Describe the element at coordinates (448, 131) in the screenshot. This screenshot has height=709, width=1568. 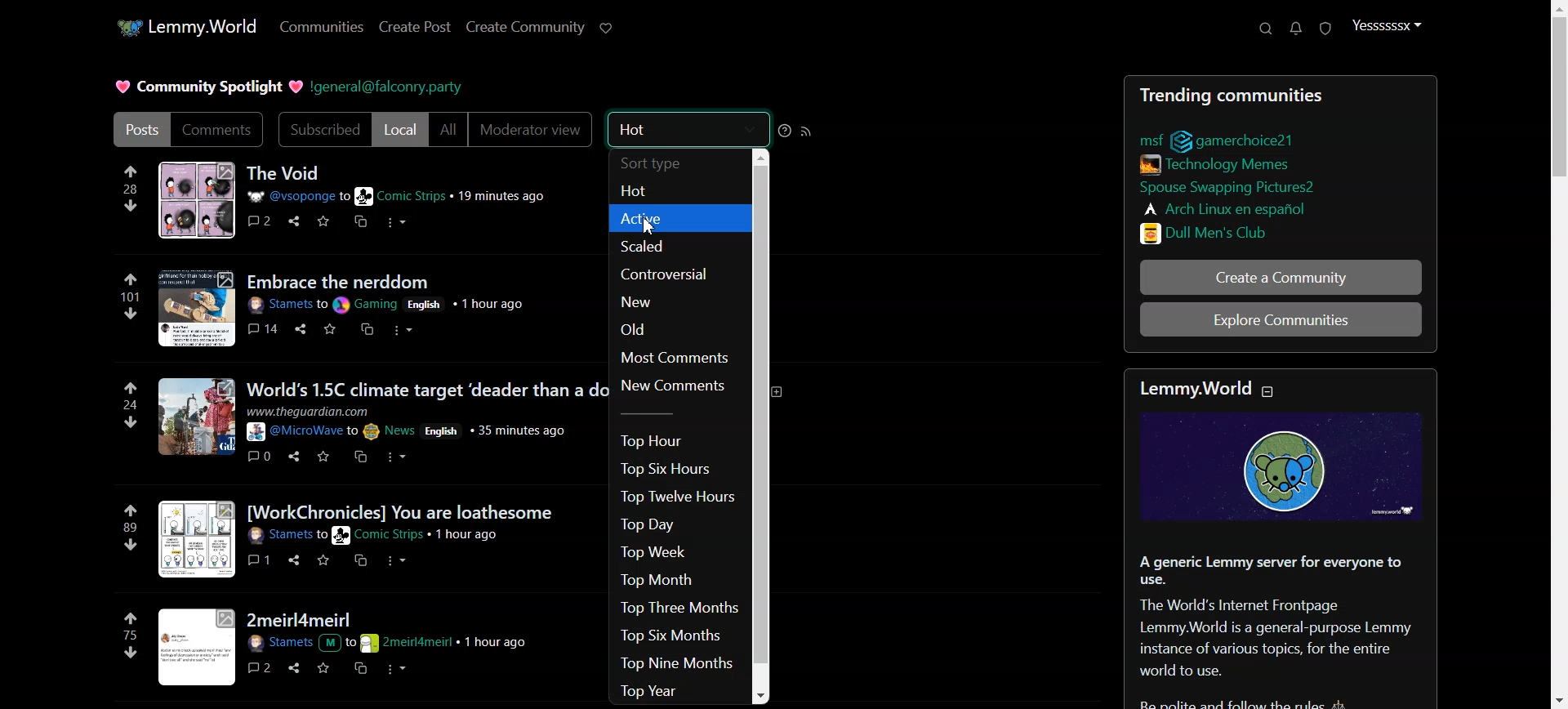
I see `All` at that location.